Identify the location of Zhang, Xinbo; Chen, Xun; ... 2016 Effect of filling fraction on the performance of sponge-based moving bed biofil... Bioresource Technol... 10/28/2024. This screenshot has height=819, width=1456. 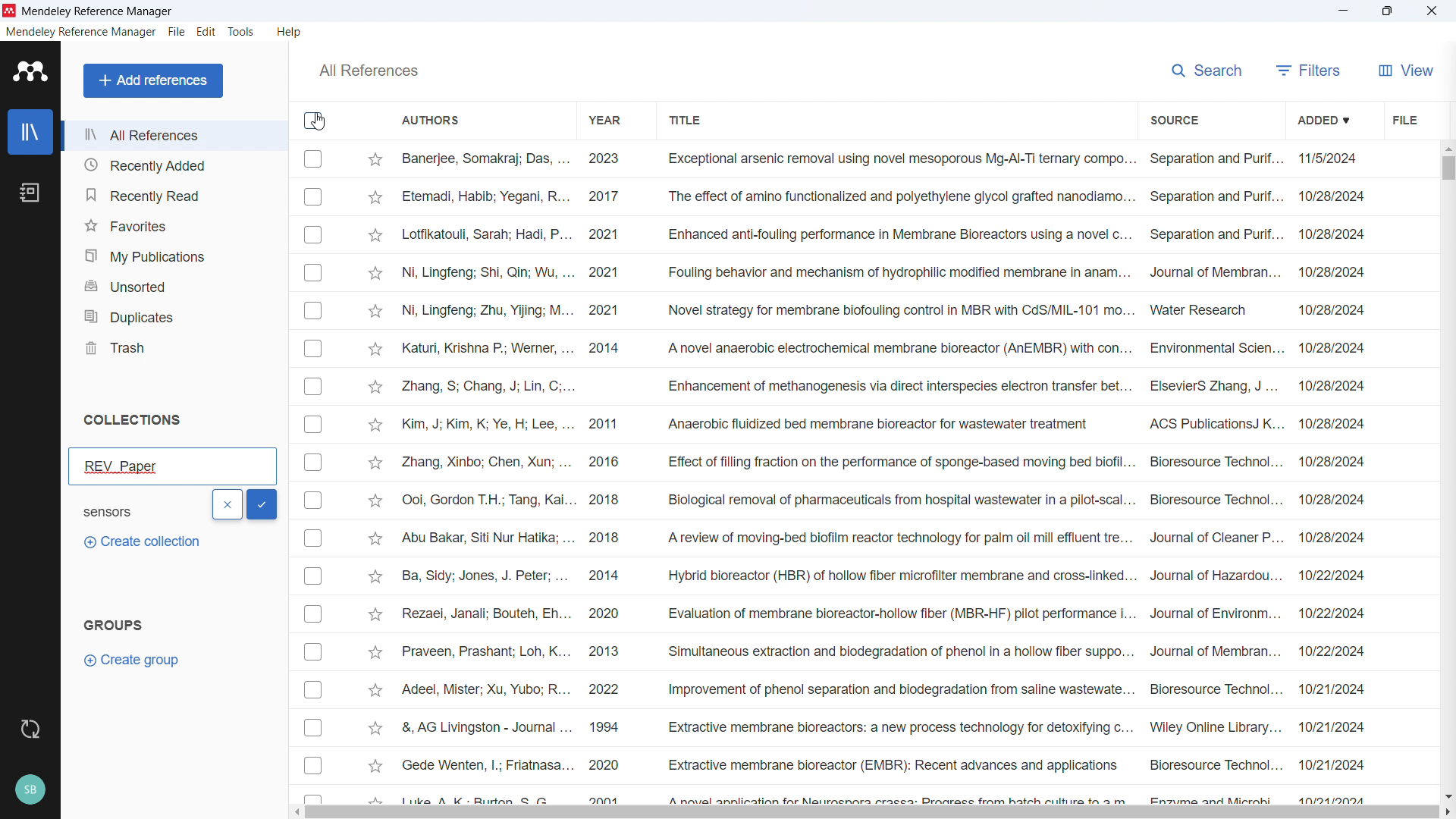
(883, 461).